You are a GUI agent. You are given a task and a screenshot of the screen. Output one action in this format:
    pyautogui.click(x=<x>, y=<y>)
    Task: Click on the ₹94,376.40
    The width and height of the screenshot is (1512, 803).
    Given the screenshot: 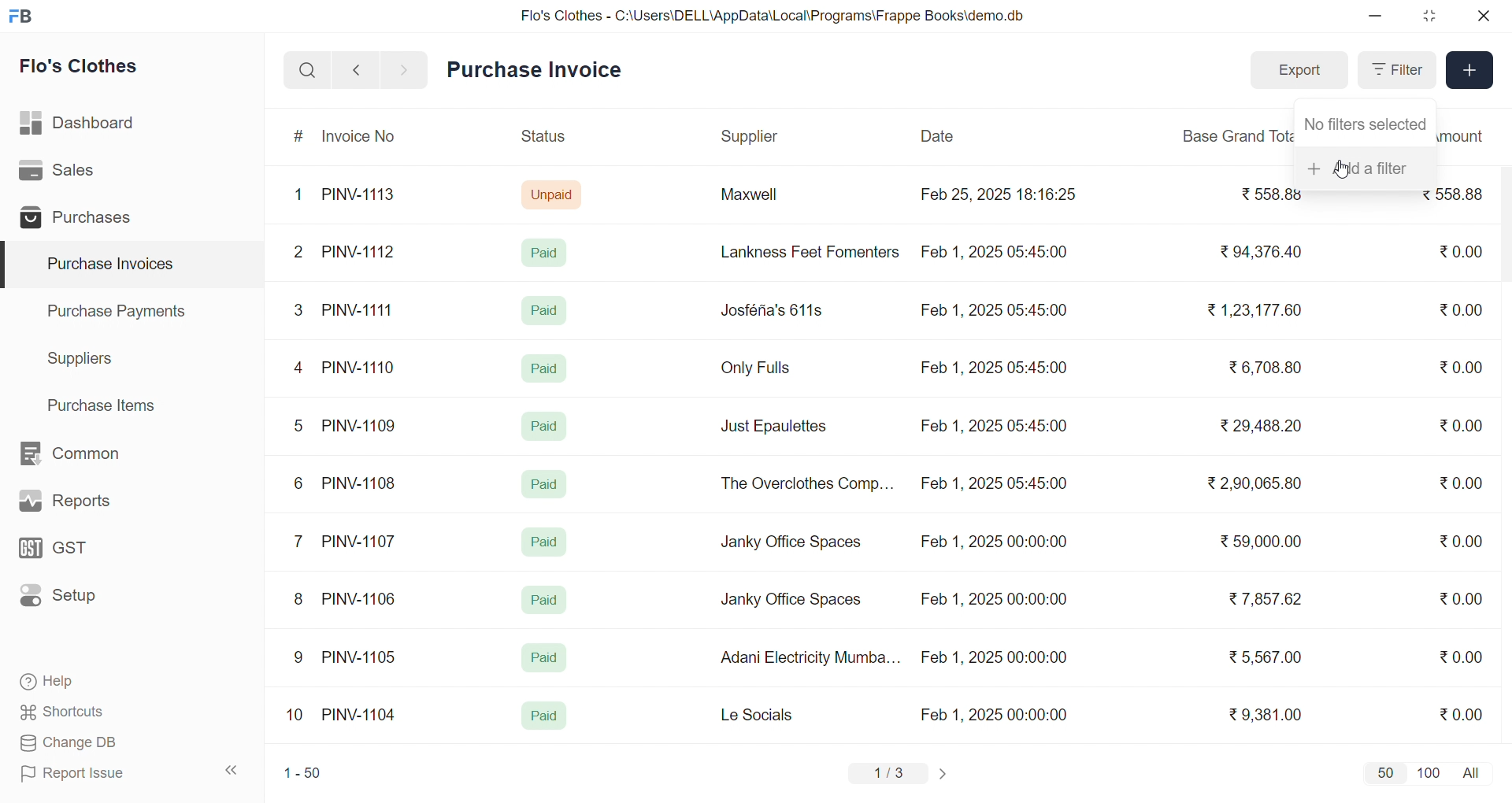 What is the action you would take?
    pyautogui.click(x=1257, y=253)
    